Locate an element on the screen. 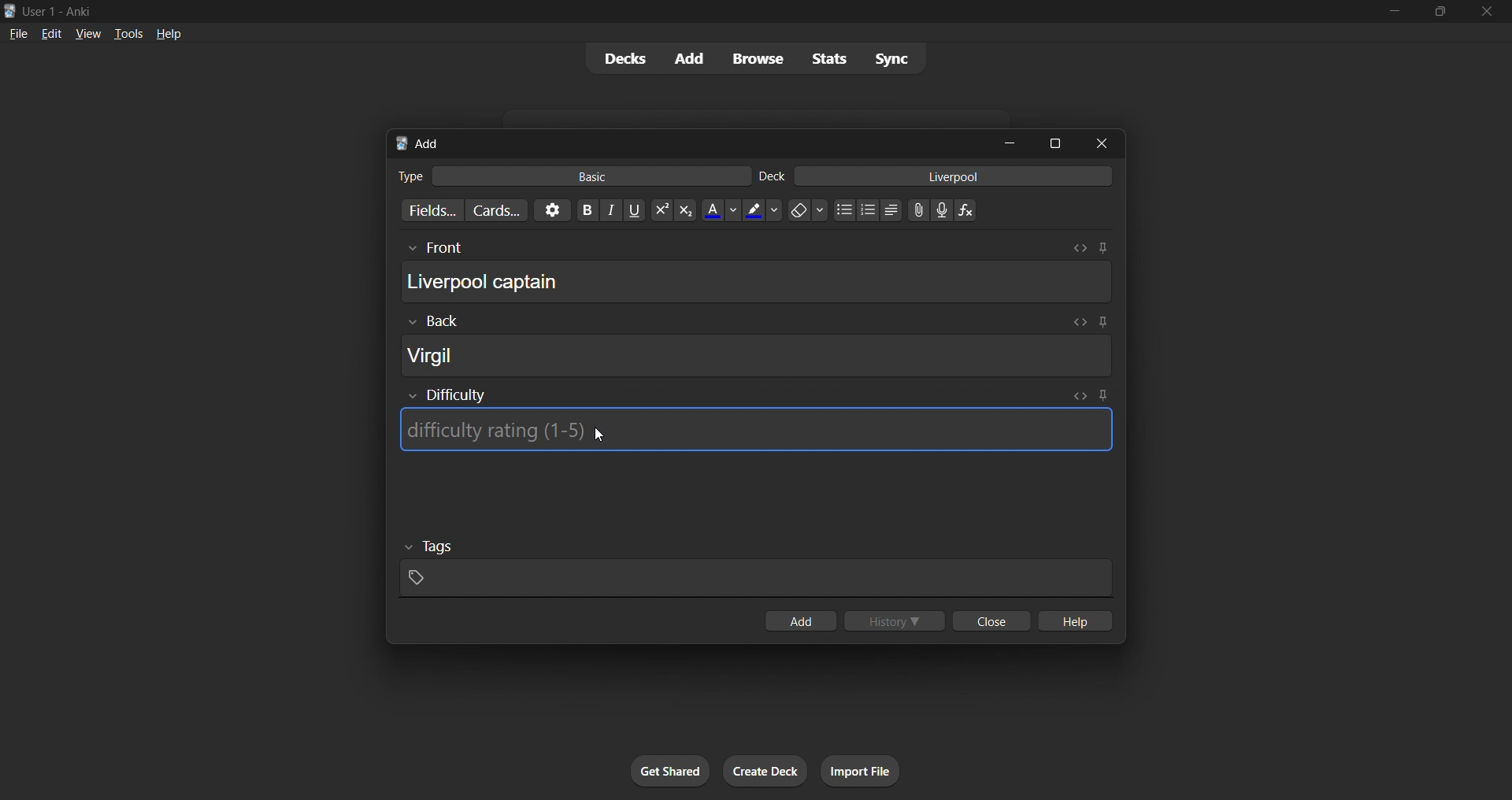  card difficulty field input box is located at coordinates (755, 429).